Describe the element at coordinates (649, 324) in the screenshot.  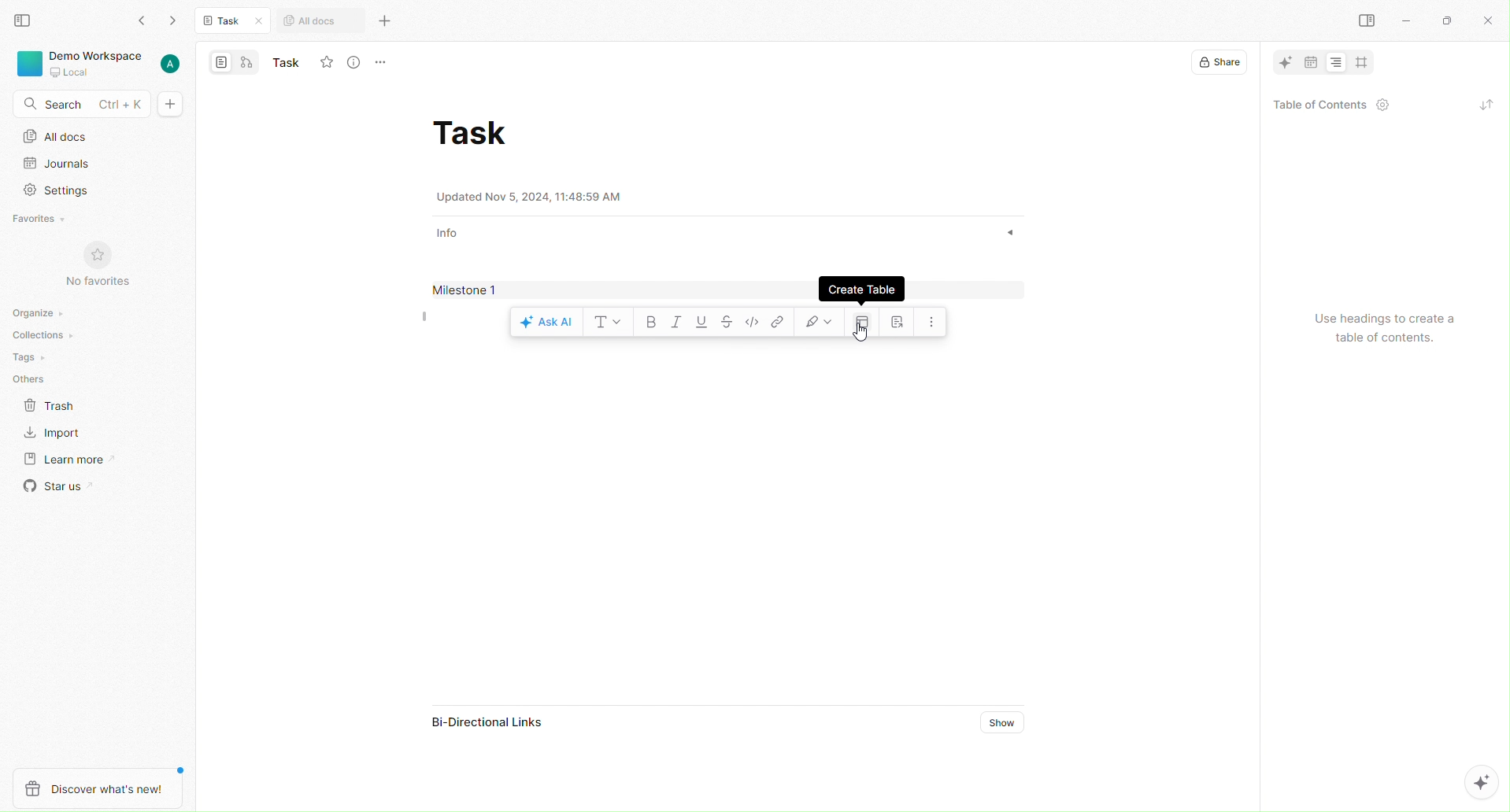
I see `Bold` at that location.